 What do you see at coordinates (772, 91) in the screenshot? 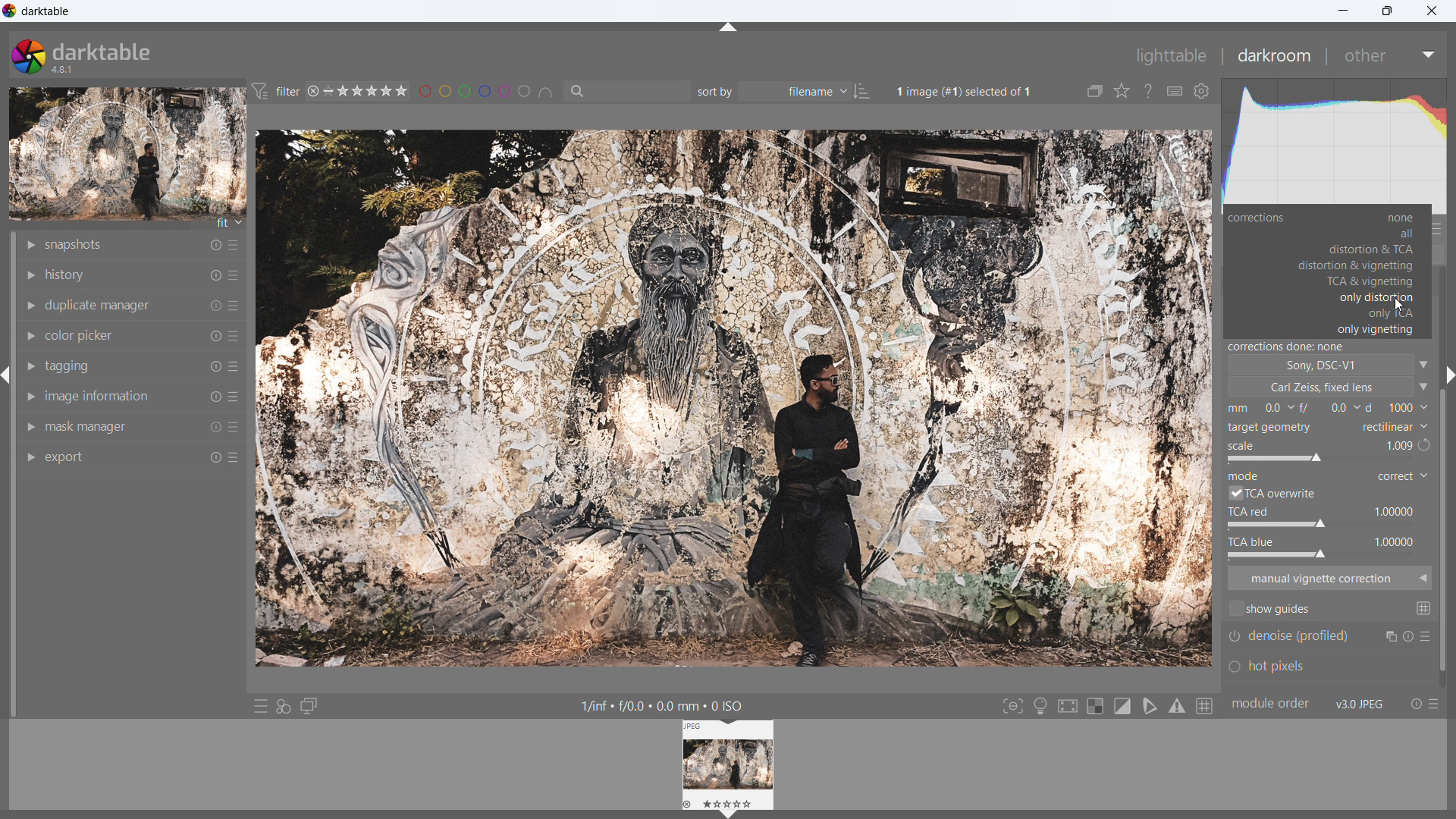
I see `sort by` at bounding box center [772, 91].